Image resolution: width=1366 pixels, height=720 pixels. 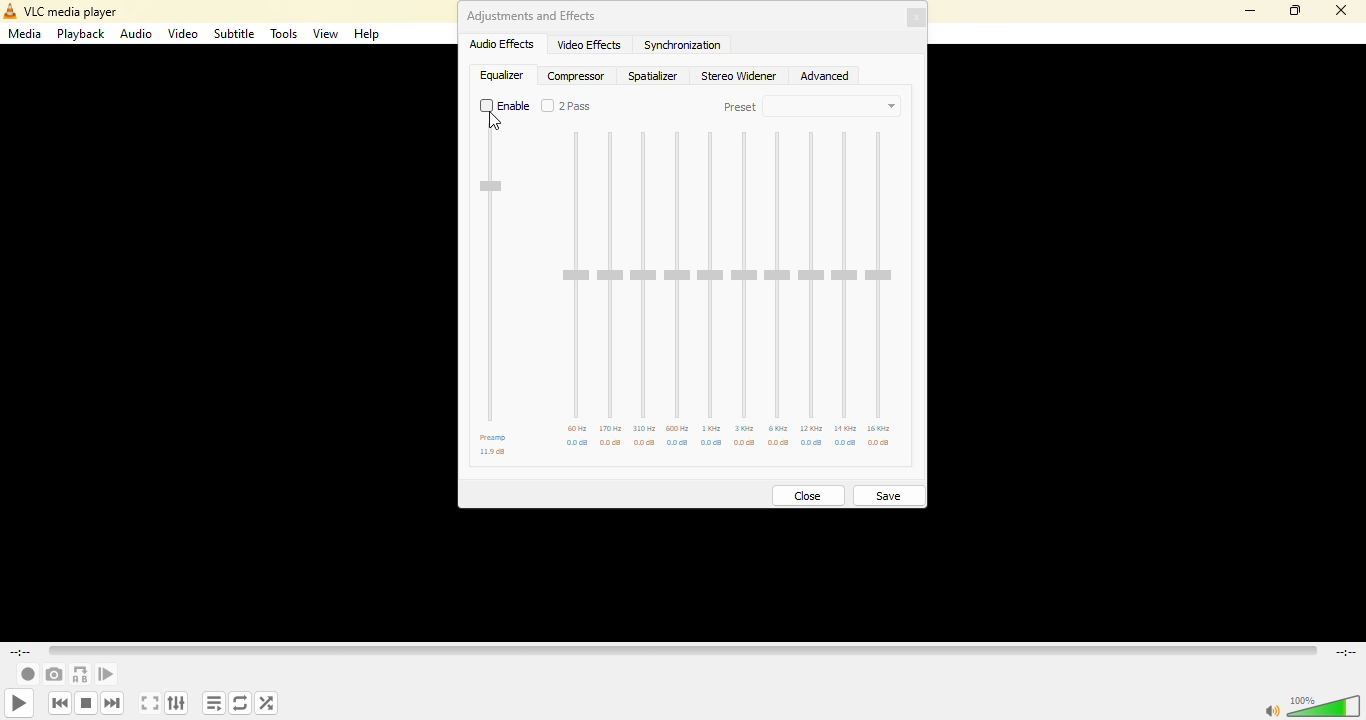 What do you see at coordinates (19, 704) in the screenshot?
I see `play` at bounding box center [19, 704].